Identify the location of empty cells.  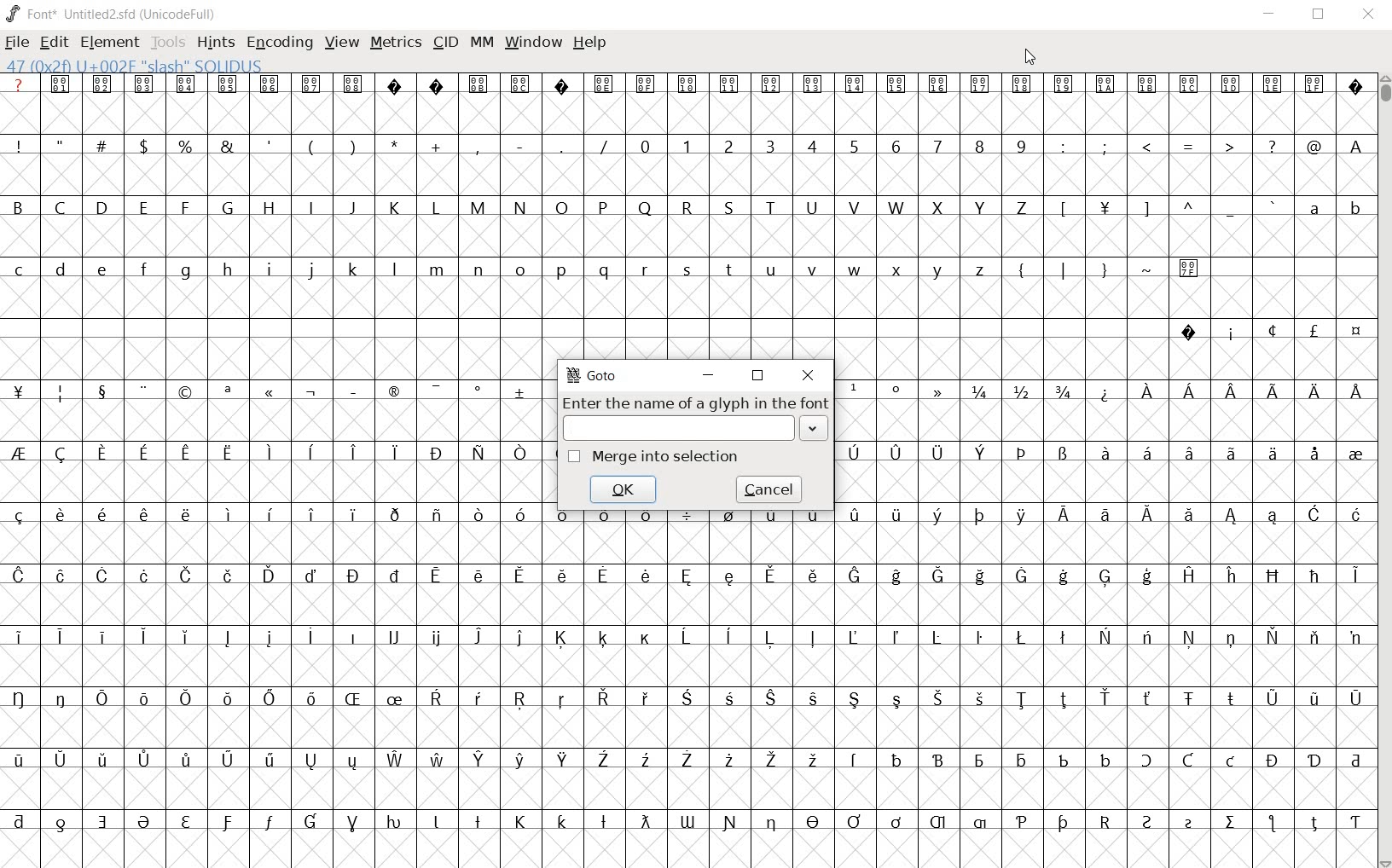
(276, 356).